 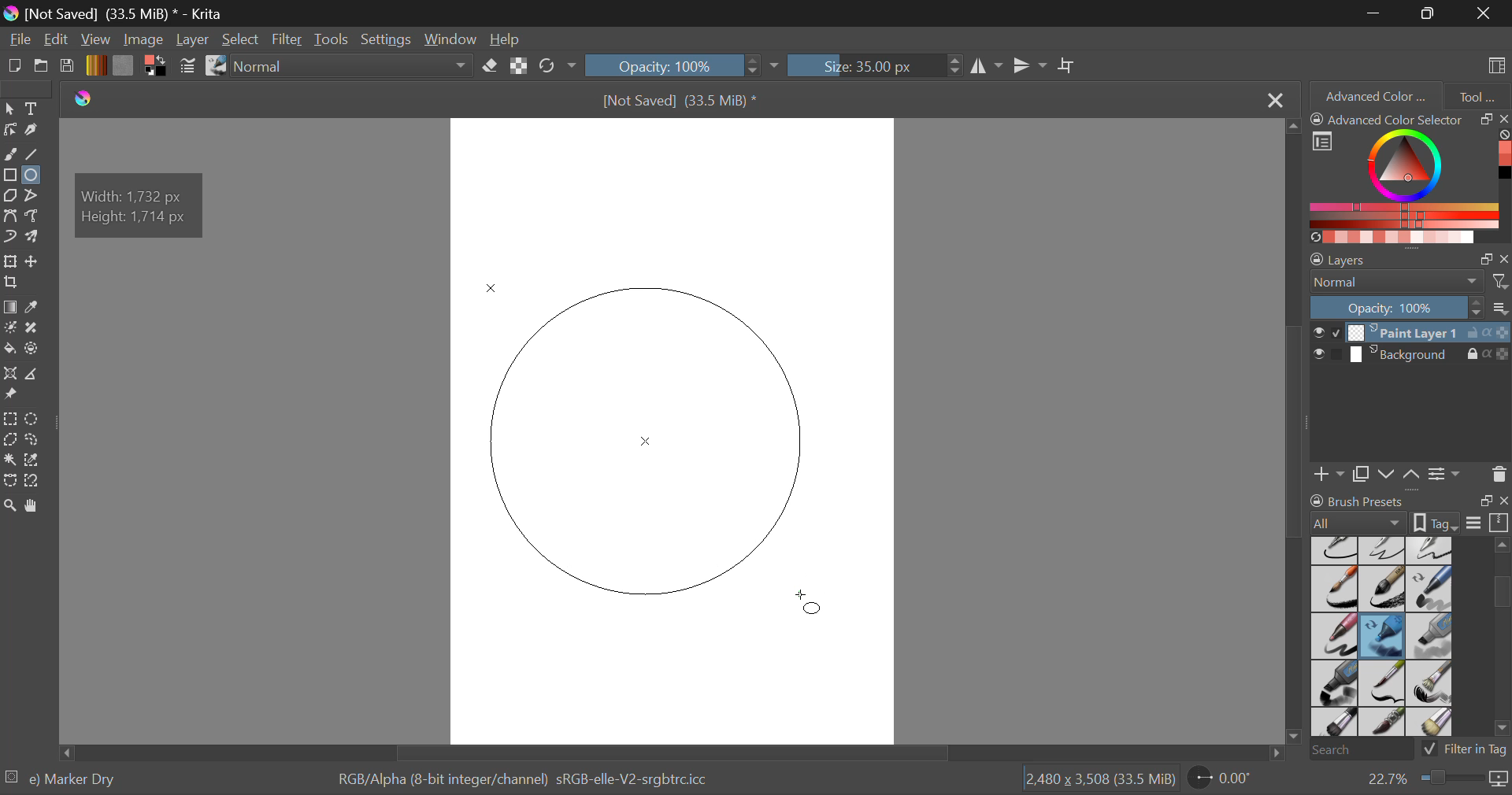 I want to click on Scroll Bar, so click(x=1296, y=434).